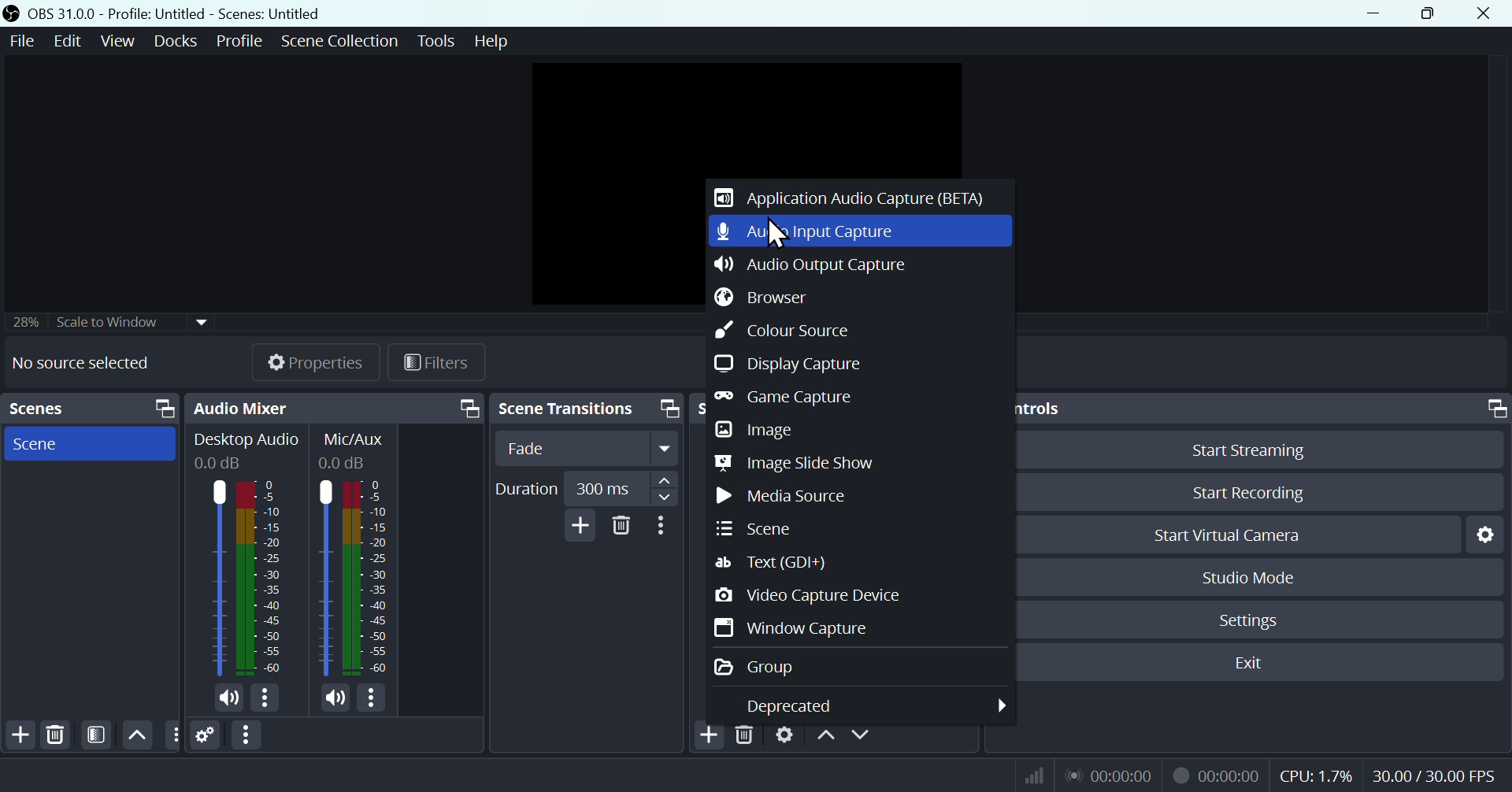 The height and width of the screenshot is (792, 1512). Describe the element at coordinates (135, 735) in the screenshot. I see `Up` at that location.